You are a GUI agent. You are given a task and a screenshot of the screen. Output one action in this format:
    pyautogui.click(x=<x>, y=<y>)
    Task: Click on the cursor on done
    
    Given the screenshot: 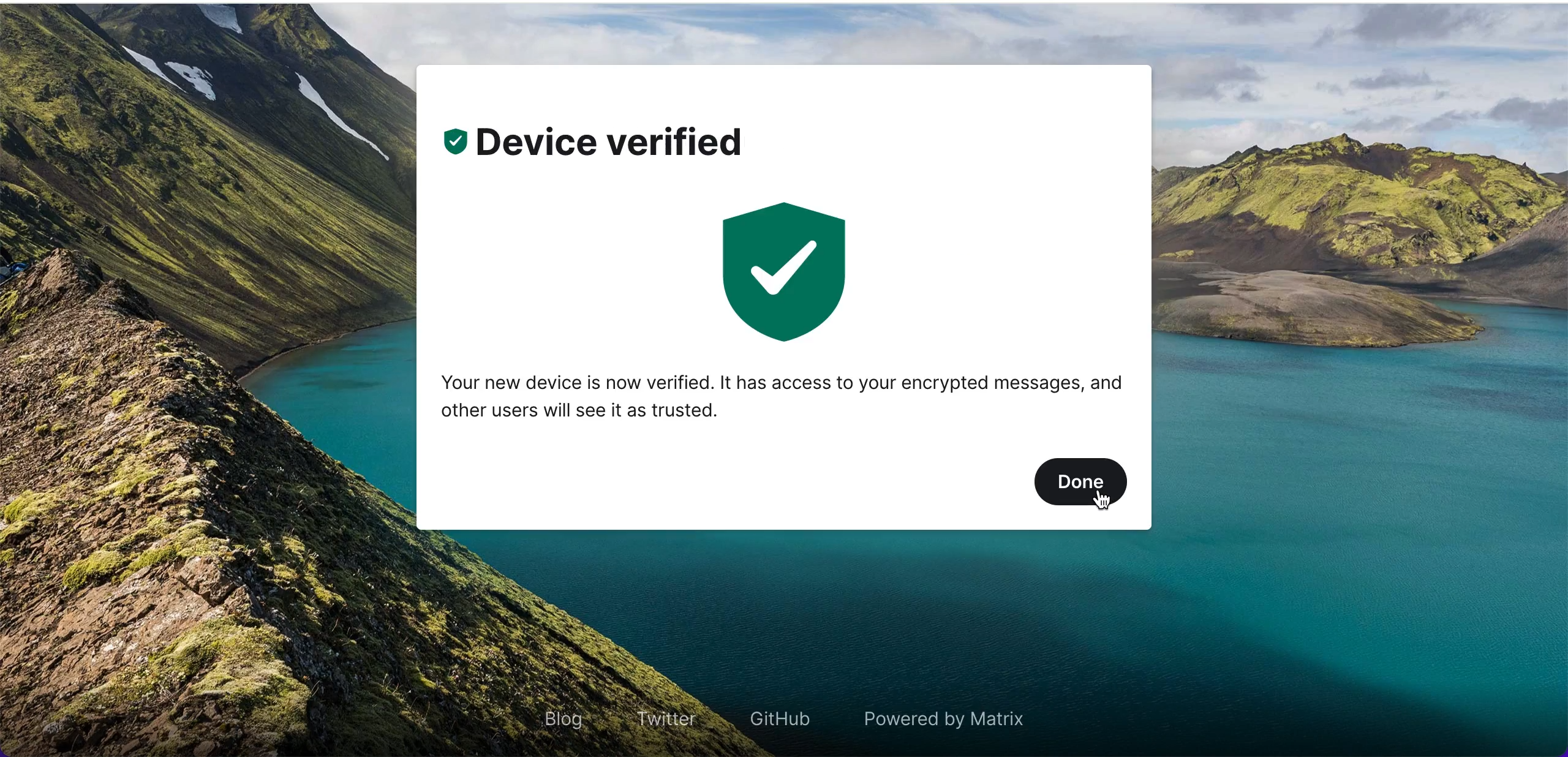 What is the action you would take?
    pyautogui.click(x=1112, y=504)
    